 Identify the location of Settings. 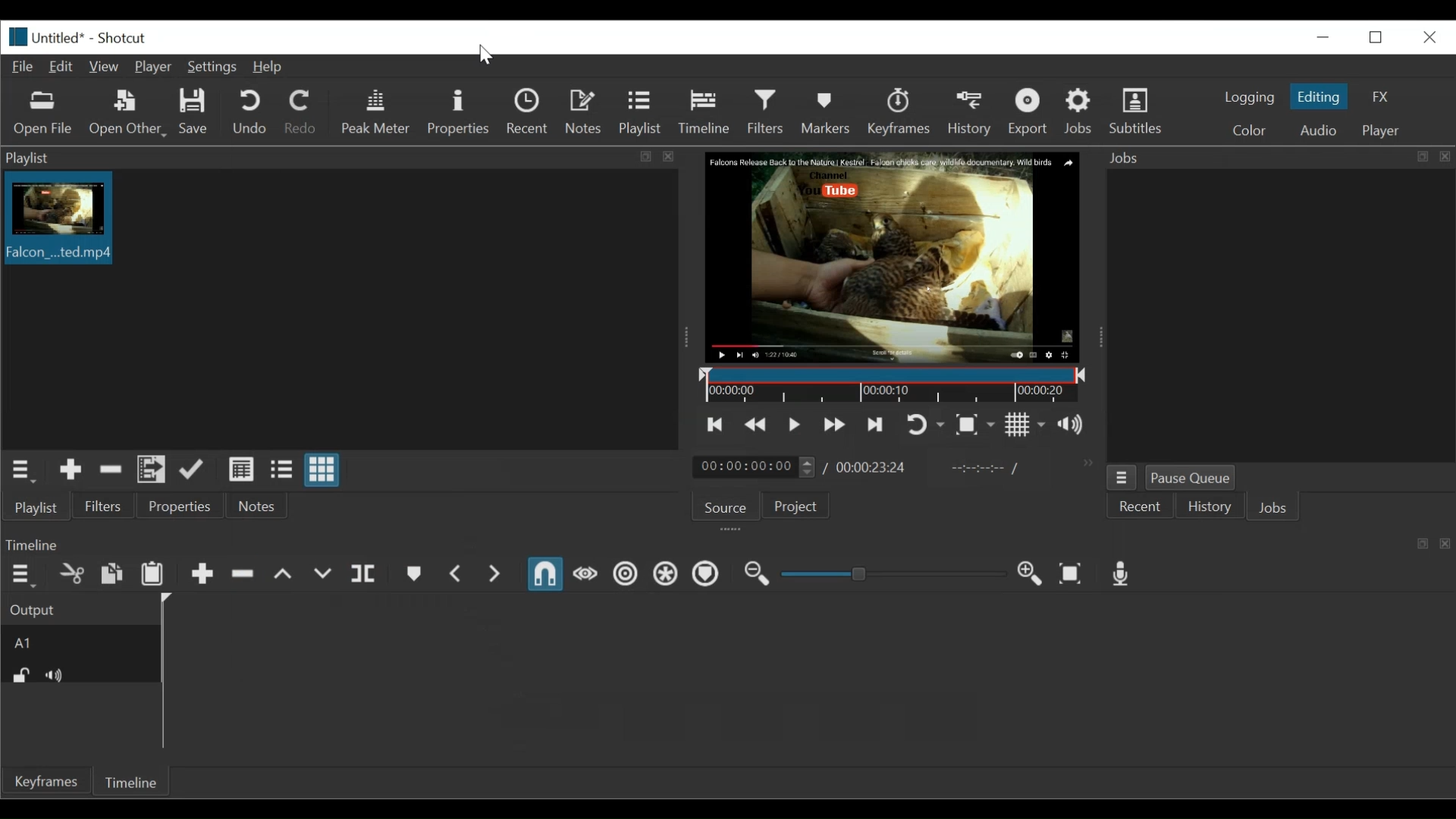
(210, 67).